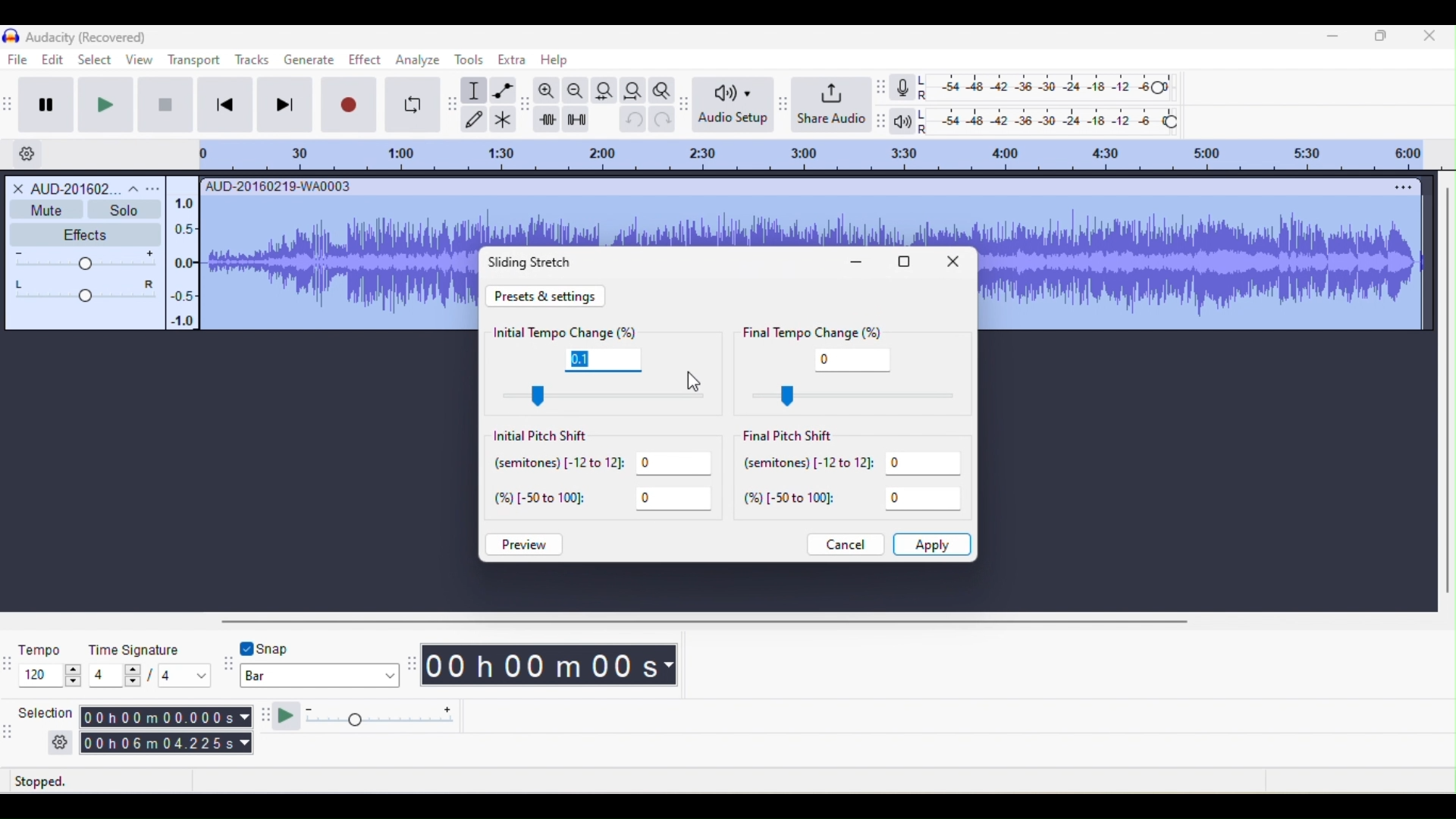 The width and height of the screenshot is (1456, 819). What do you see at coordinates (956, 265) in the screenshot?
I see `close` at bounding box center [956, 265].